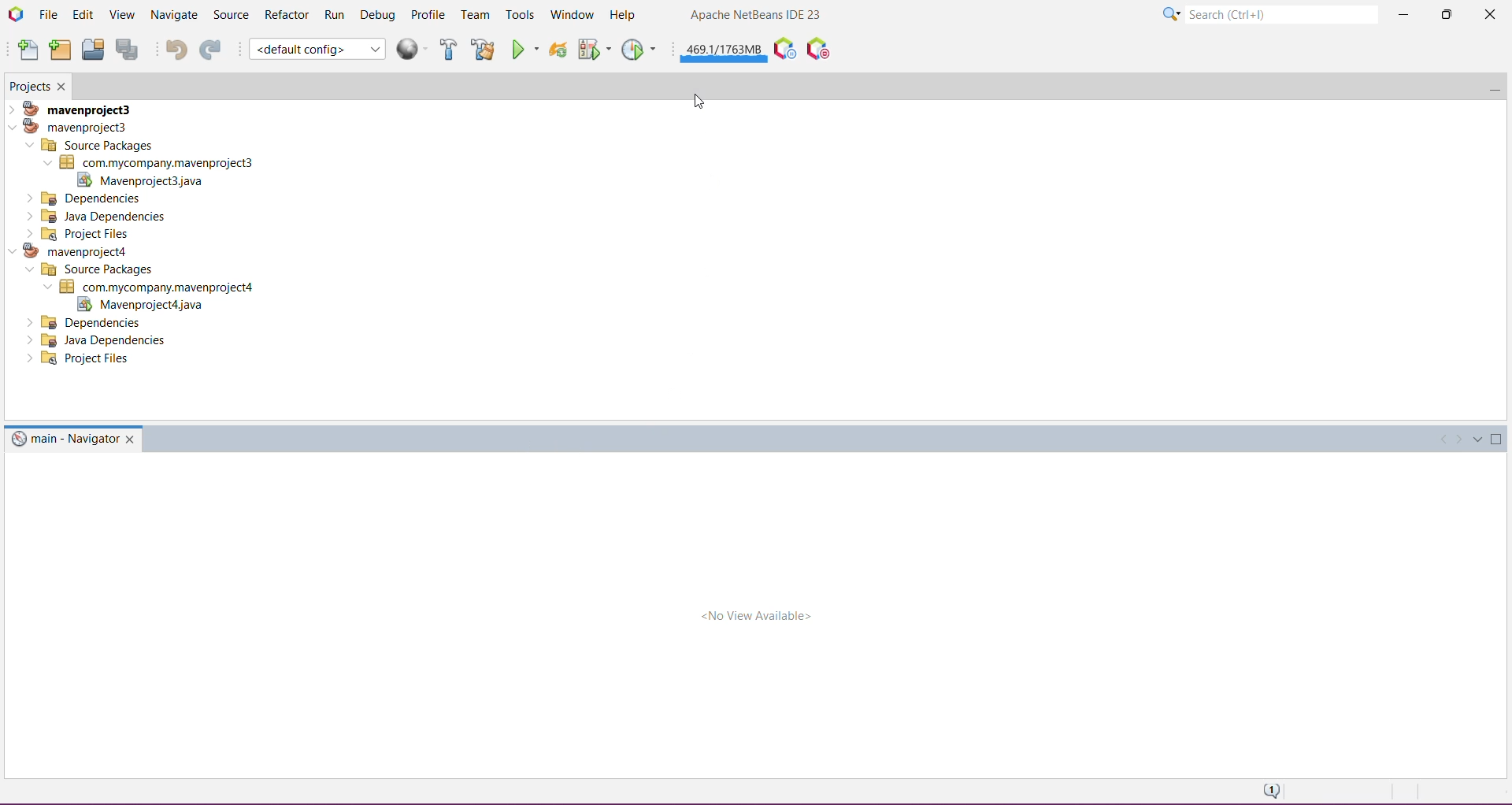  What do you see at coordinates (154, 287) in the screenshot?
I see `com.mycompany.mavenproject4` at bounding box center [154, 287].